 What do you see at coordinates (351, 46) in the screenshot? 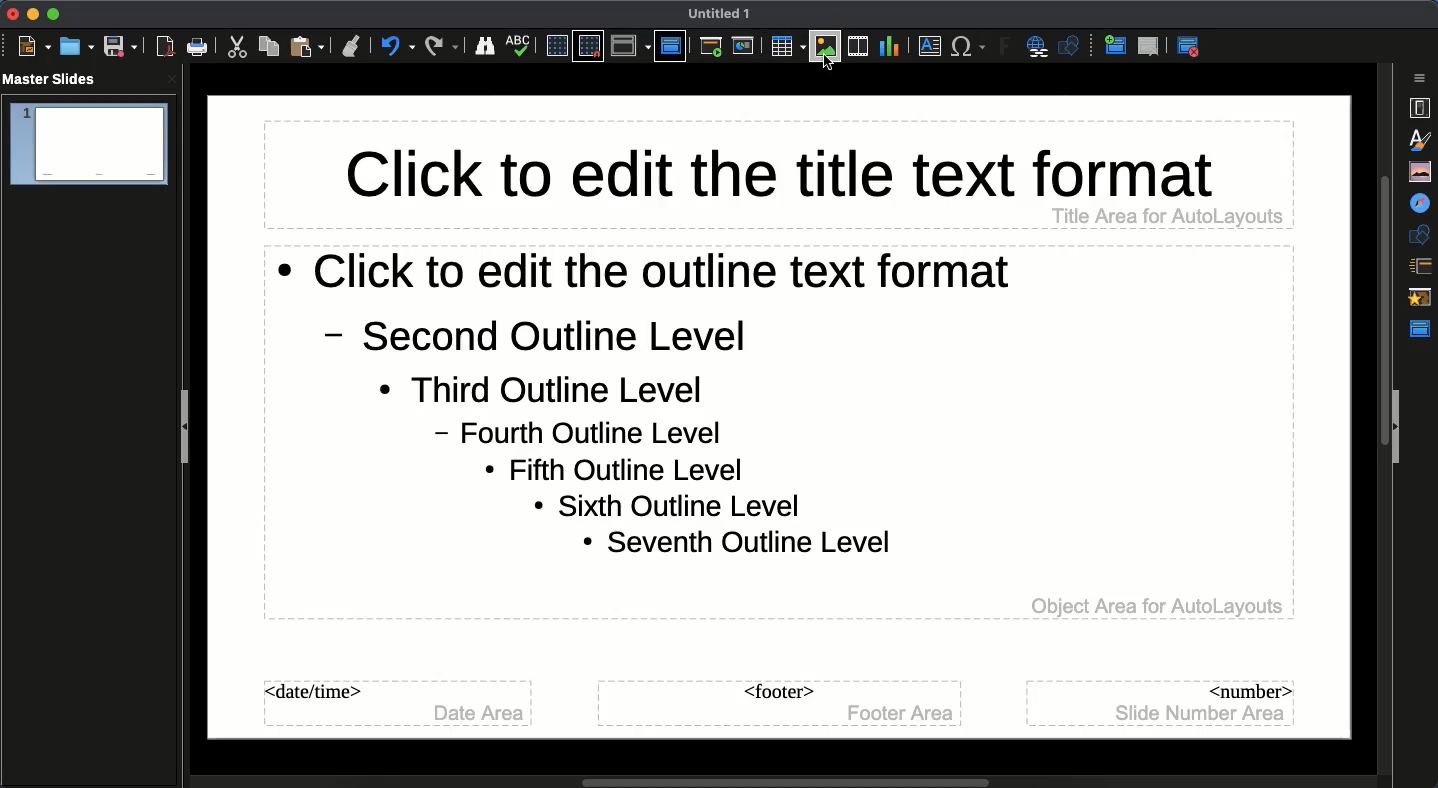
I see `Clean formatting` at bounding box center [351, 46].